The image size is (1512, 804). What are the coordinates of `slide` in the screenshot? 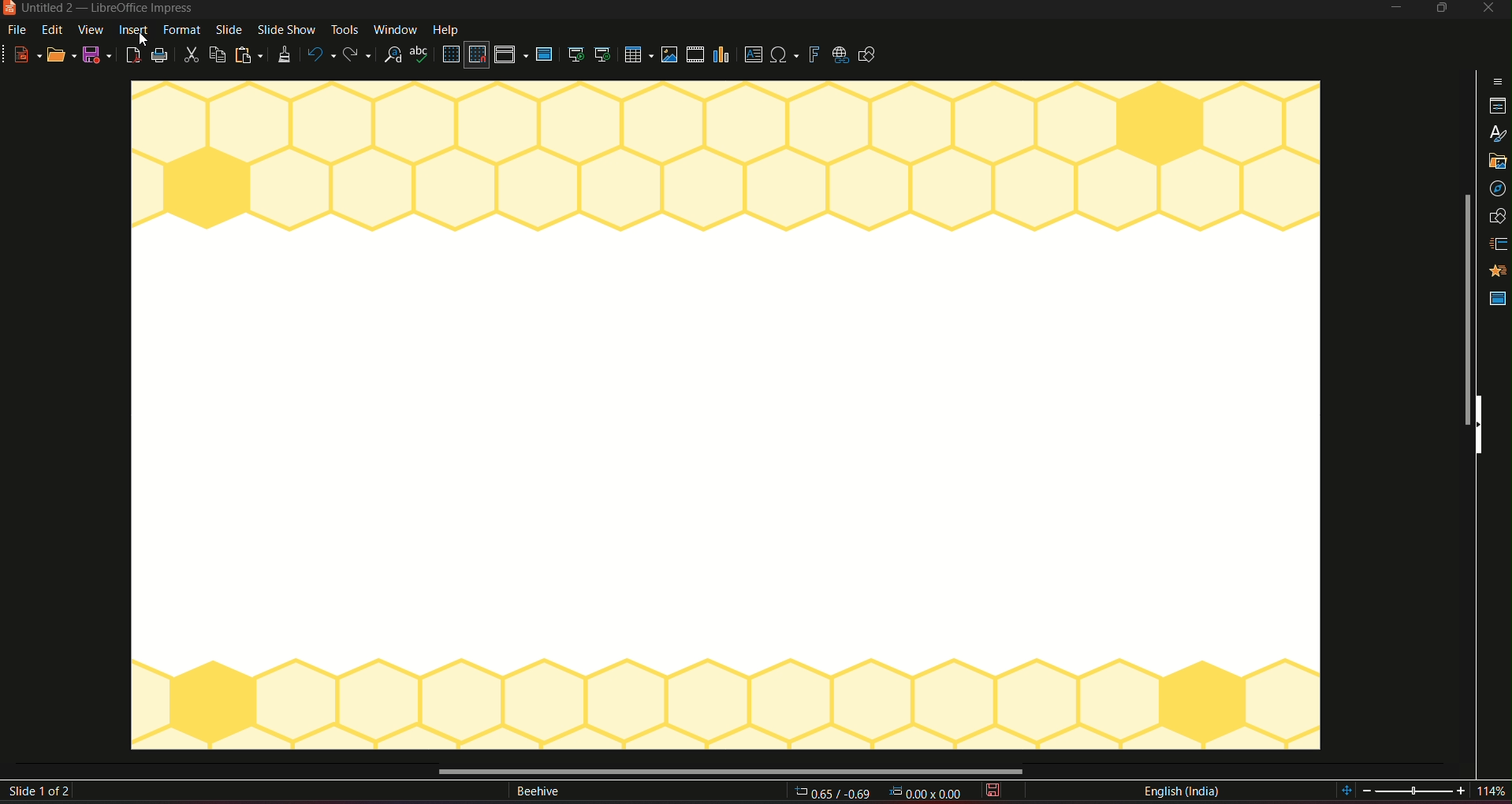 It's located at (228, 31).